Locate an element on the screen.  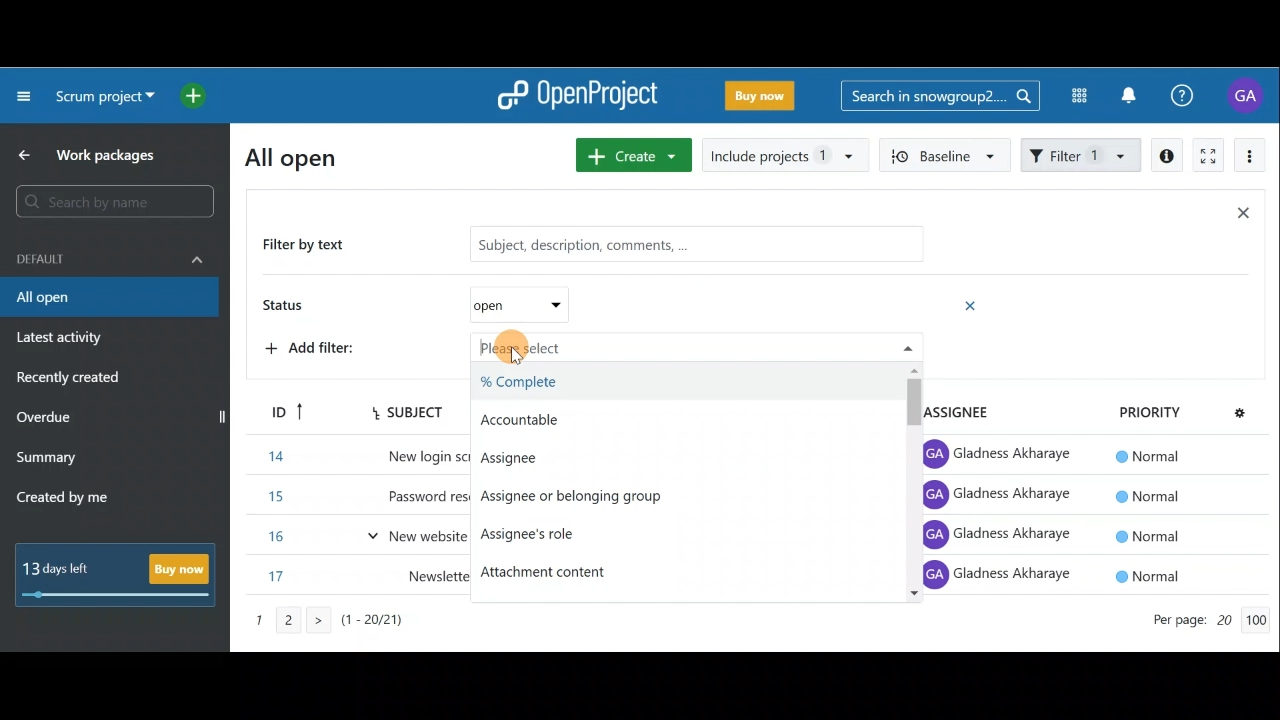
Project name is located at coordinates (102, 101).